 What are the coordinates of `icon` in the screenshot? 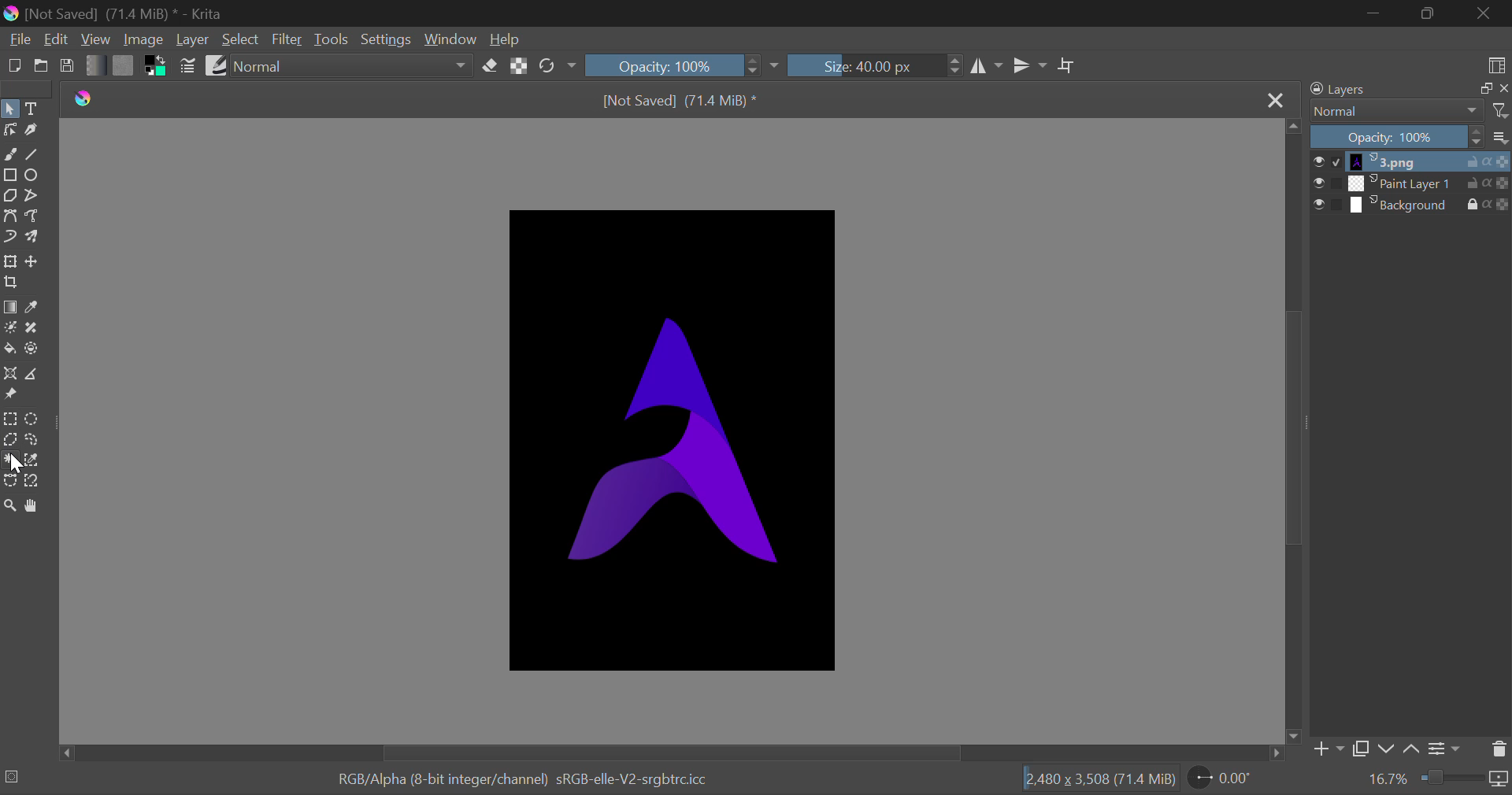 It's located at (1499, 778).